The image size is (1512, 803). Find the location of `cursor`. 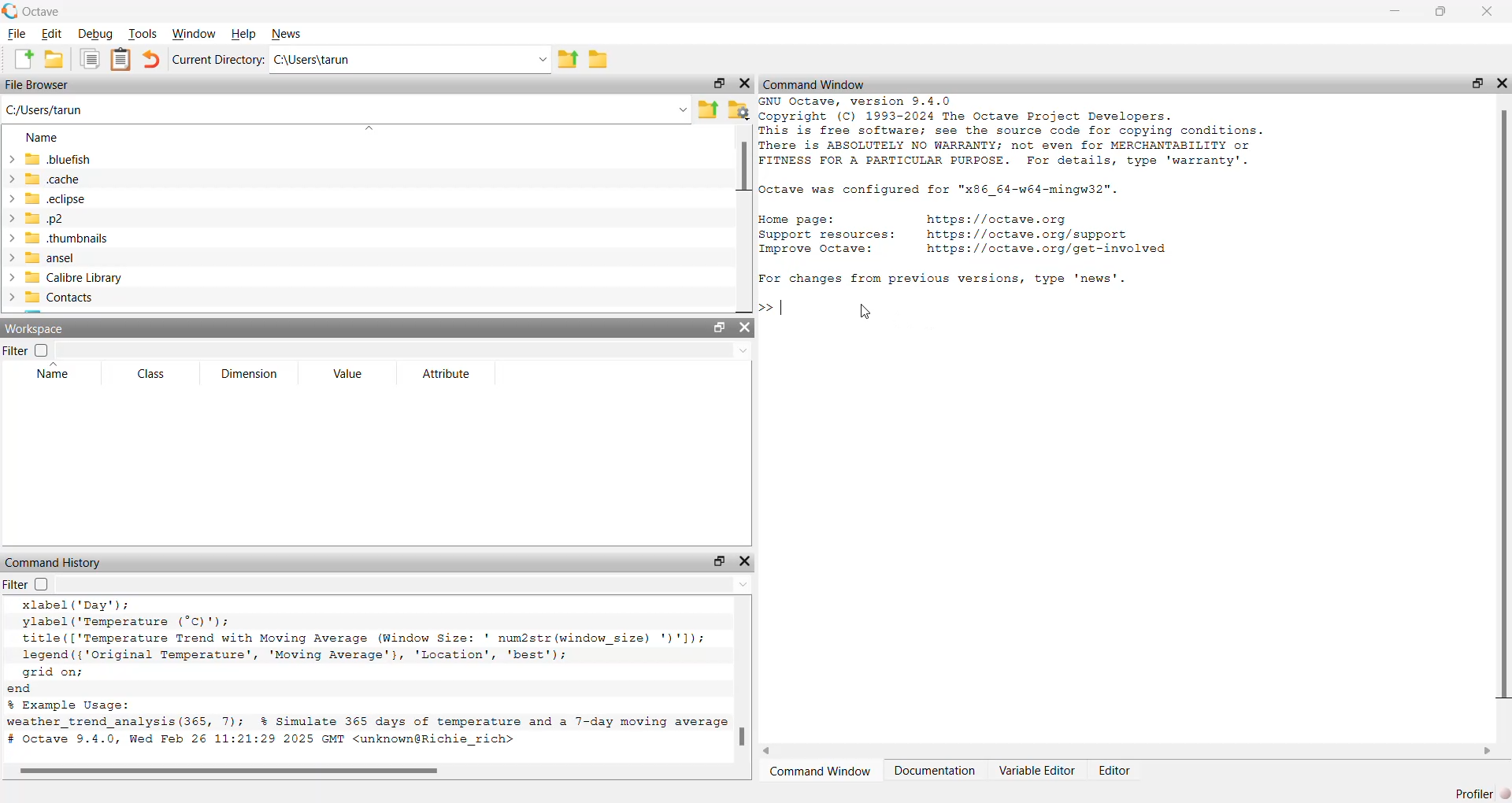

cursor is located at coordinates (868, 314).